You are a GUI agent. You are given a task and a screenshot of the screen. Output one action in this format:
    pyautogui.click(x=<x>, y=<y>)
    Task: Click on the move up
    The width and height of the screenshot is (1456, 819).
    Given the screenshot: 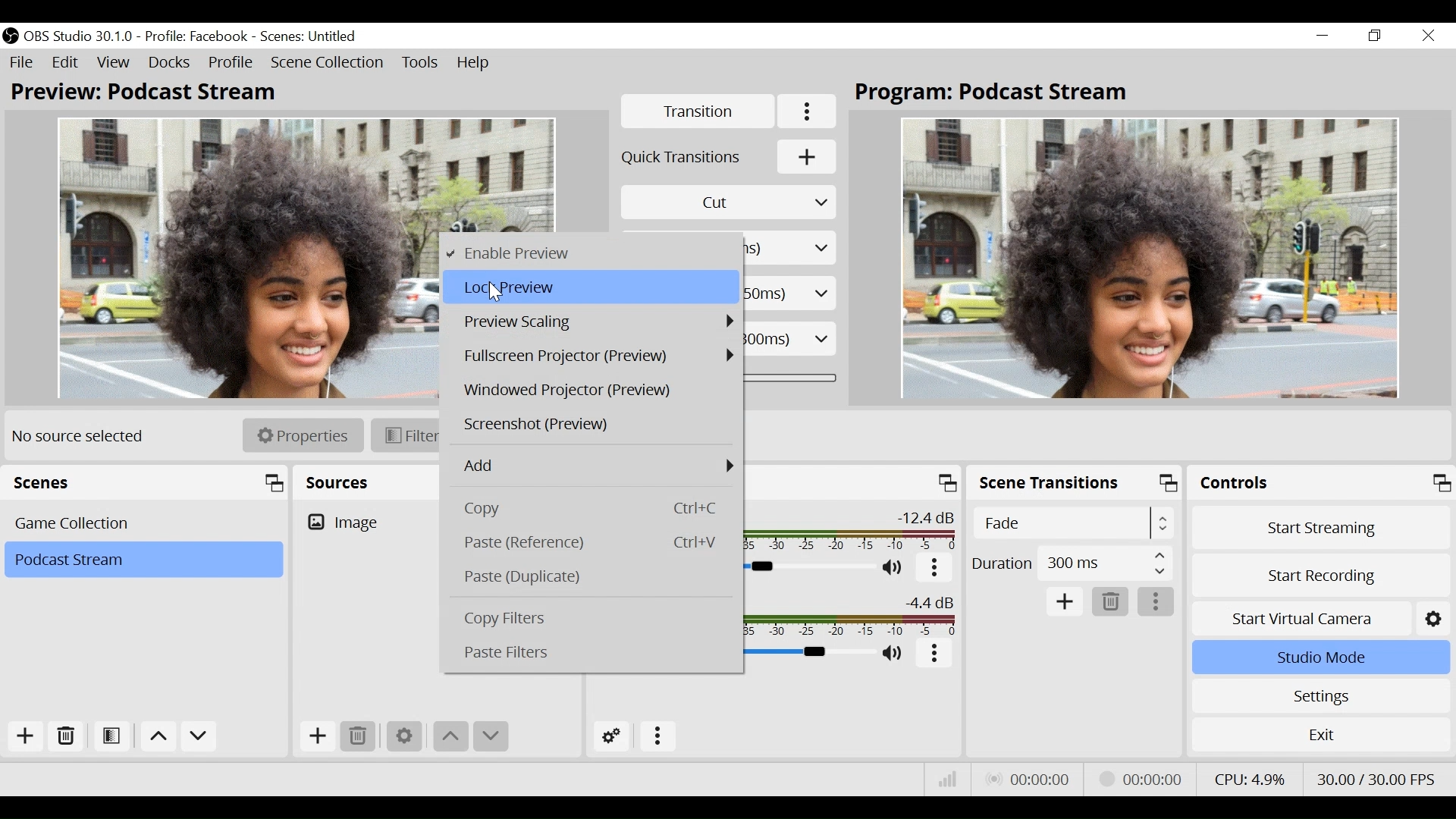 What is the action you would take?
    pyautogui.click(x=452, y=736)
    